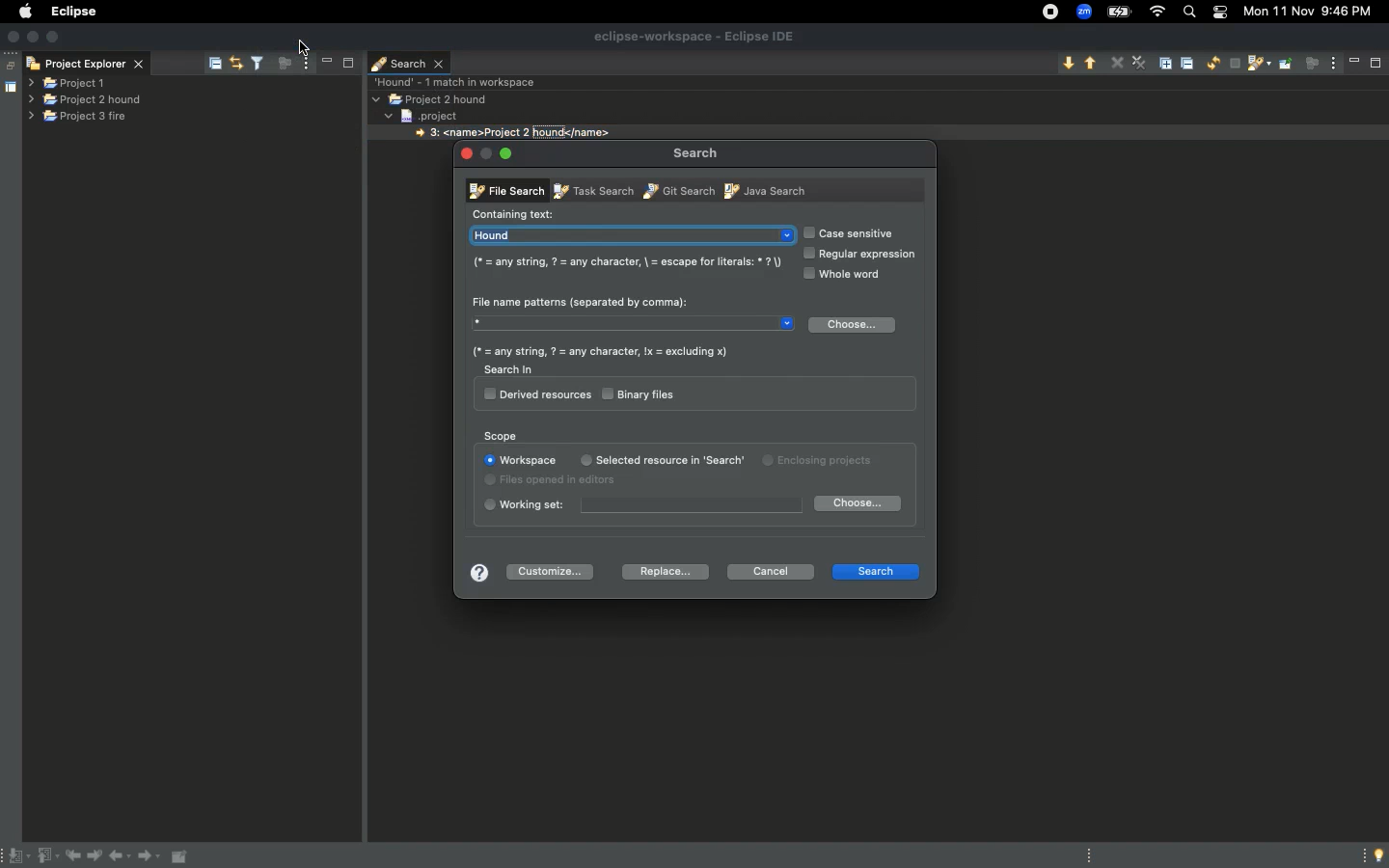 The width and height of the screenshot is (1389, 868). What do you see at coordinates (1042, 11) in the screenshot?
I see `recorder` at bounding box center [1042, 11].